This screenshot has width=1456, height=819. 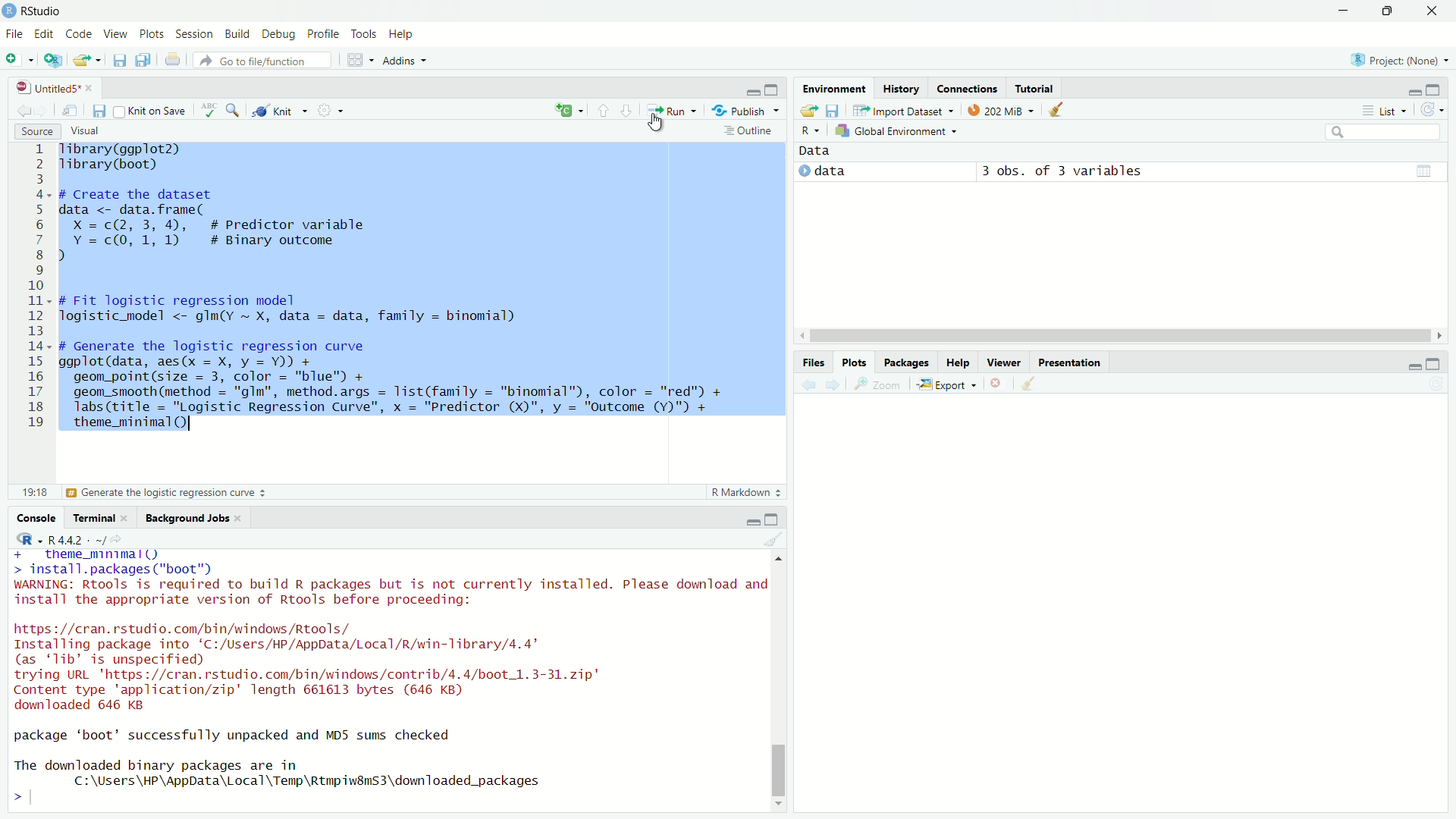 I want to click on Print the current file, so click(x=174, y=58).